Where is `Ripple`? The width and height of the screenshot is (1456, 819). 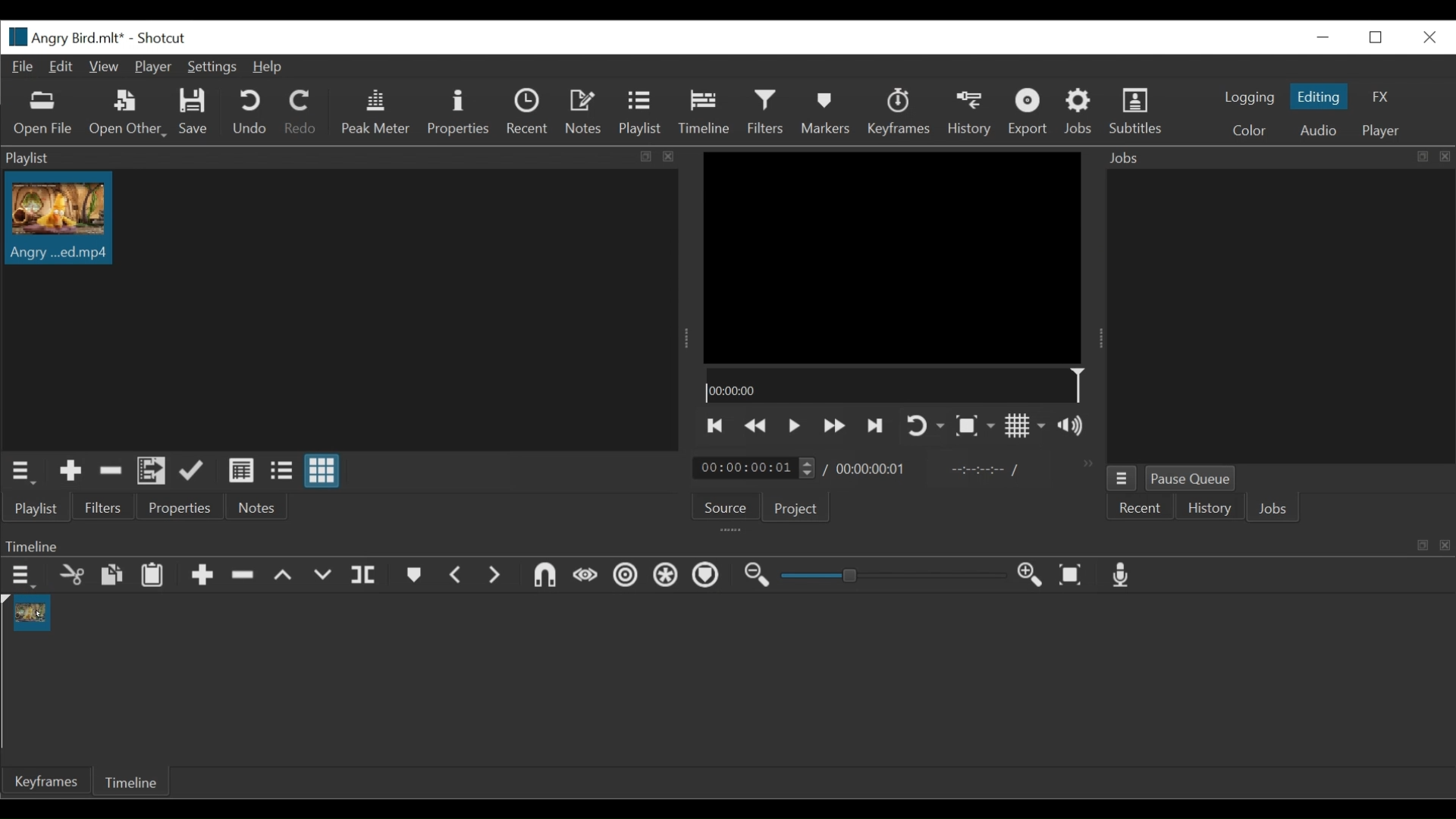
Ripple is located at coordinates (626, 576).